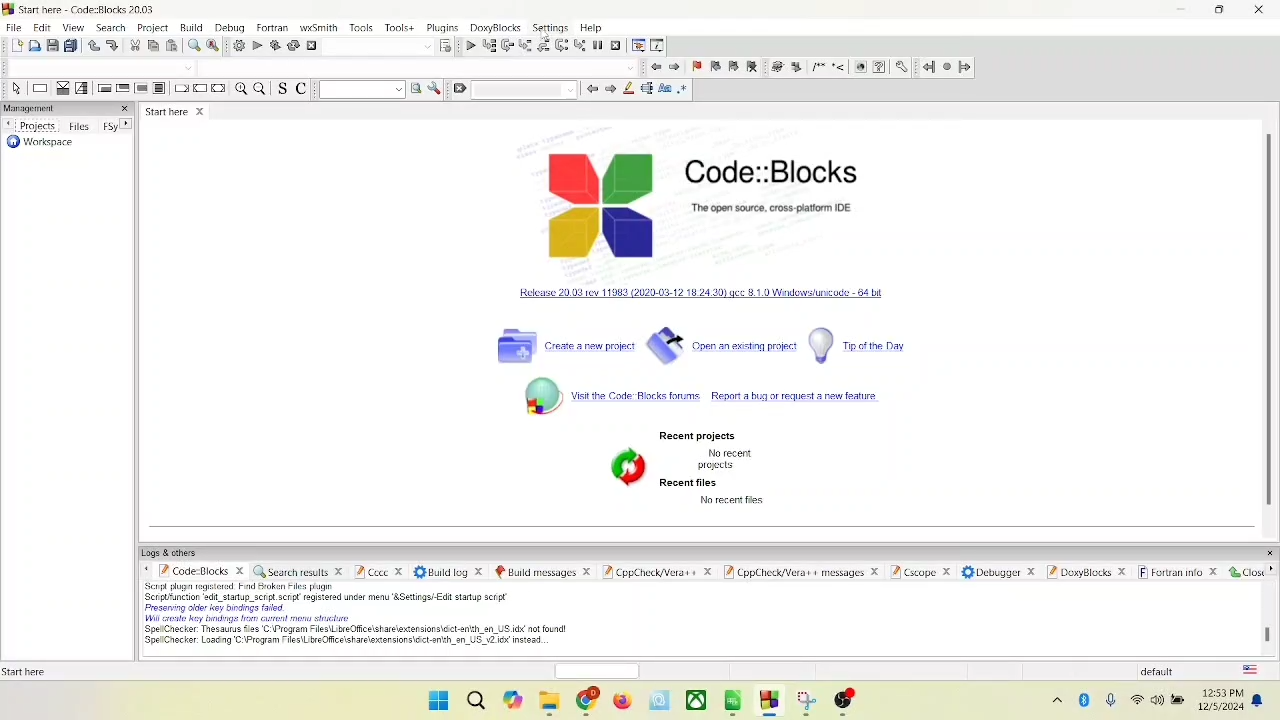 The height and width of the screenshot is (720, 1280). Describe the element at coordinates (697, 65) in the screenshot. I see `toggle bookmark` at that location.